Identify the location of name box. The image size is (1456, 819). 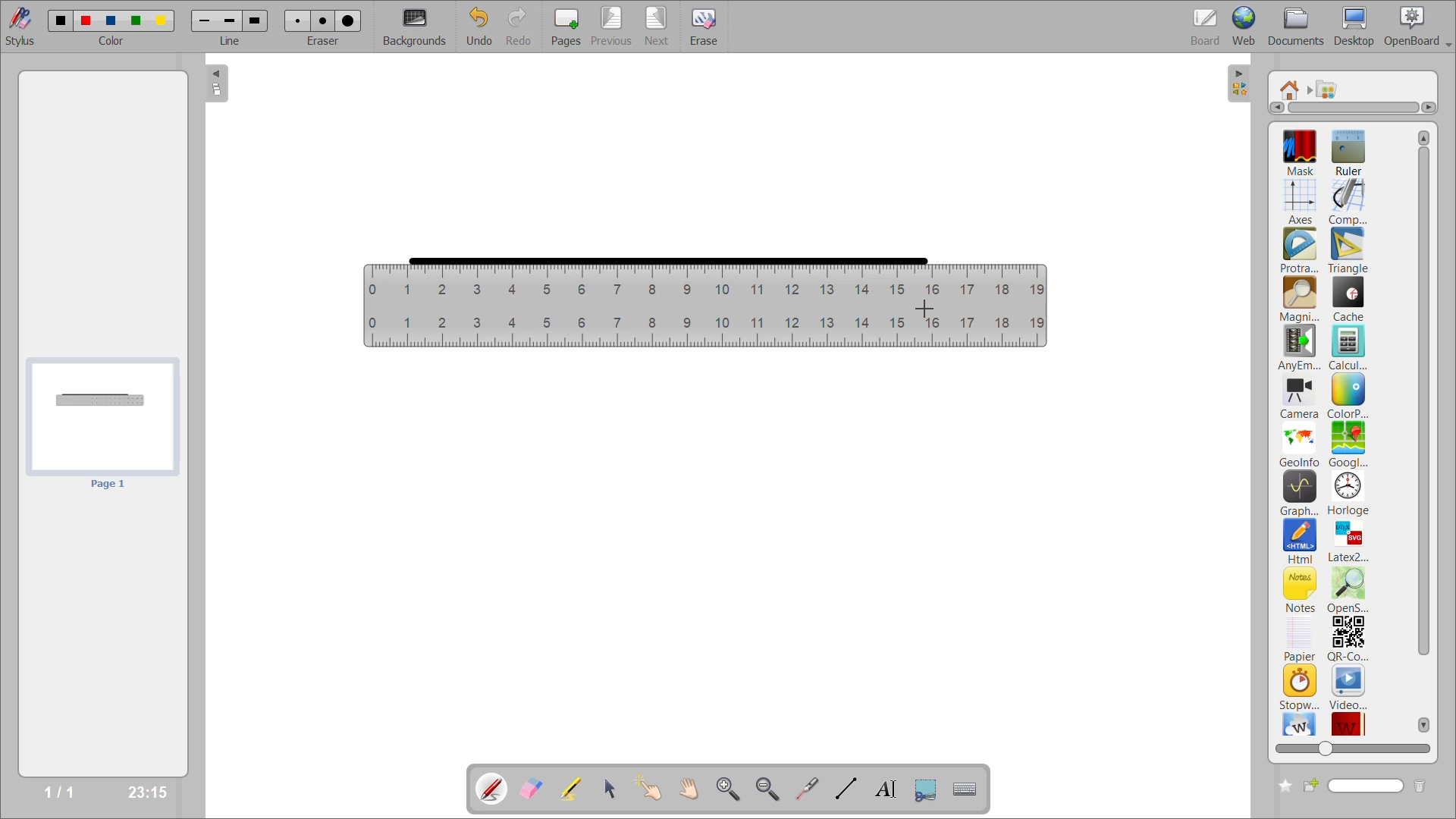
(1354, 786).